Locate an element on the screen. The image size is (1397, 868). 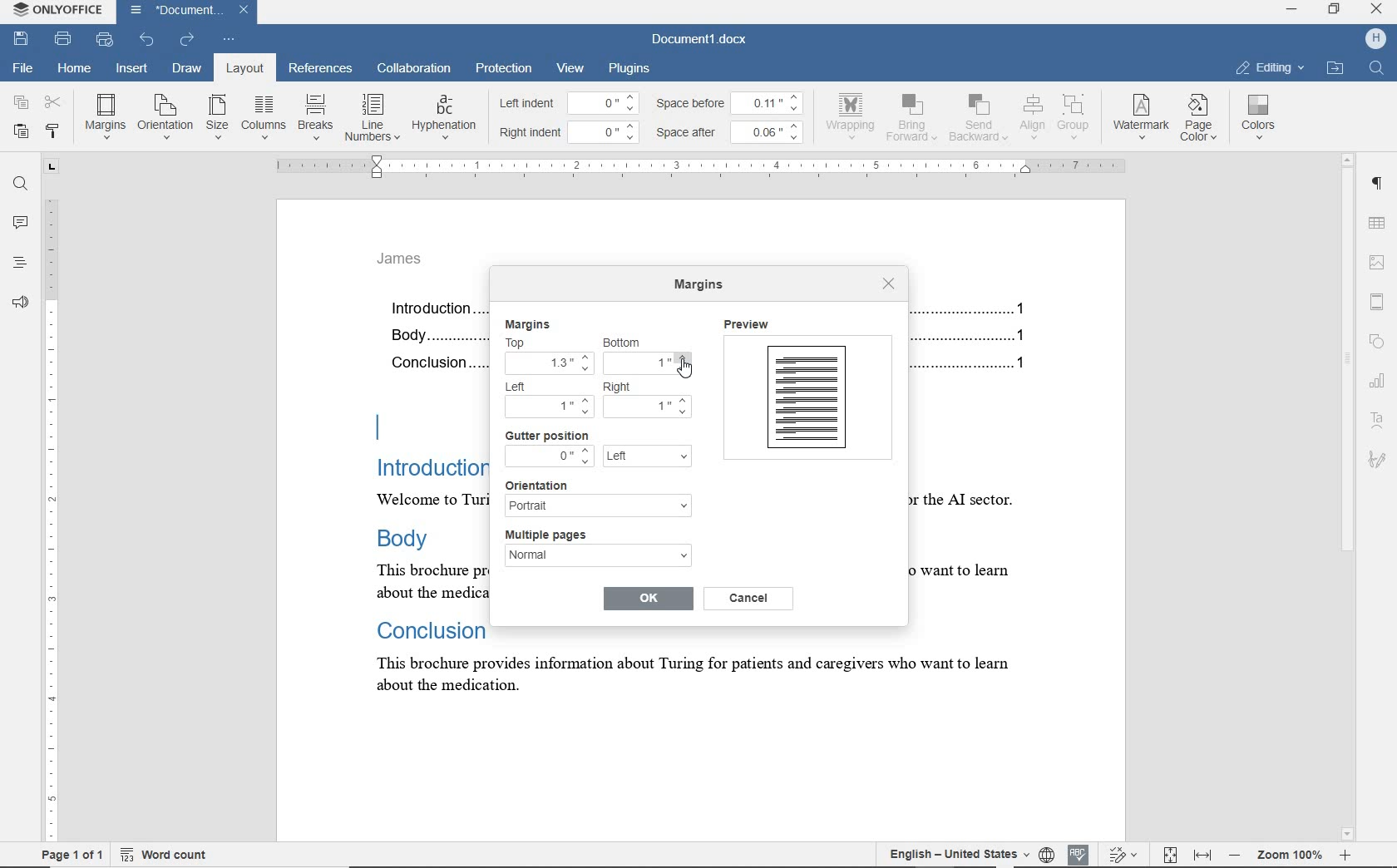
track changes is located at coordinates (1125, 854).